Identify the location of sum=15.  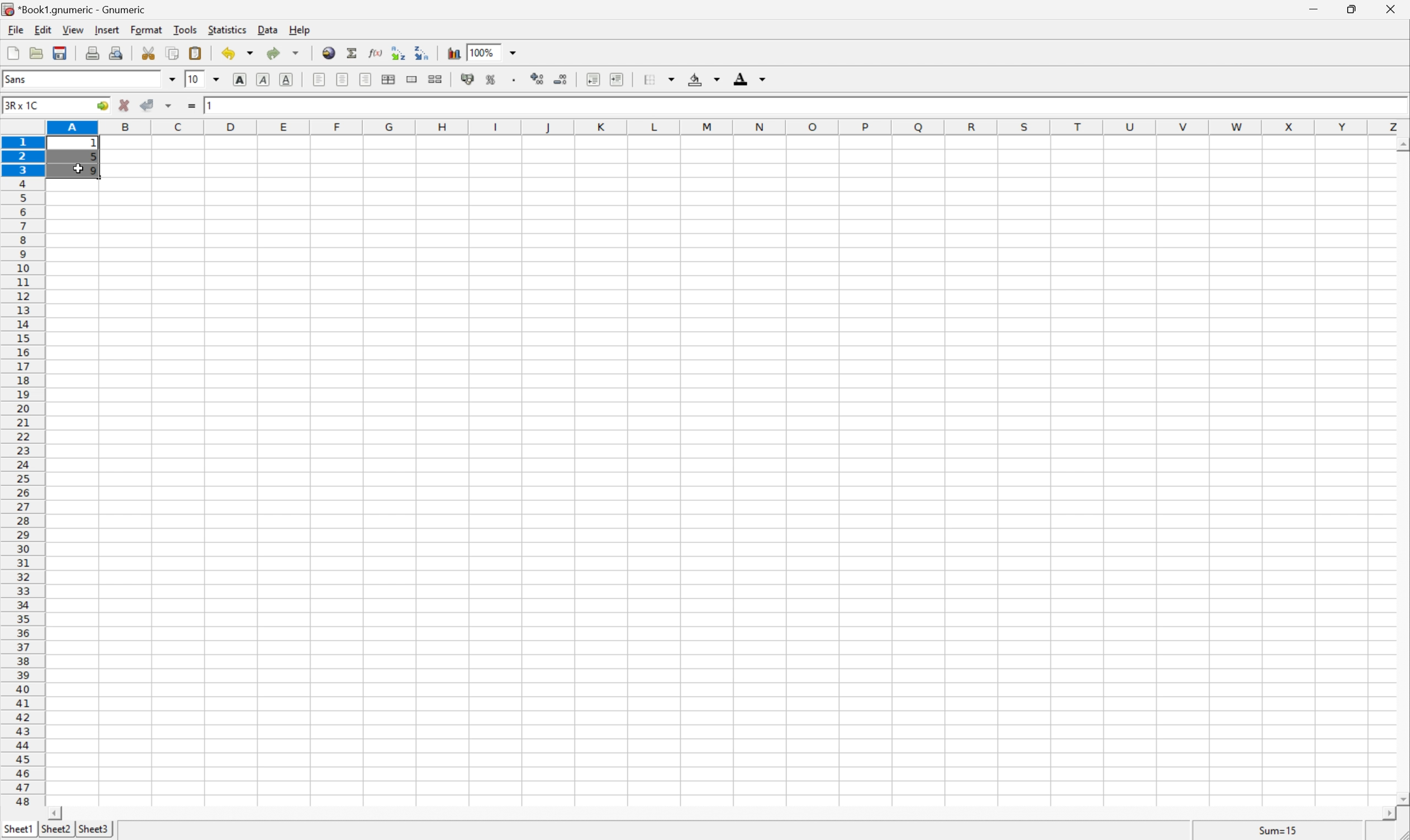
(1278, 830).